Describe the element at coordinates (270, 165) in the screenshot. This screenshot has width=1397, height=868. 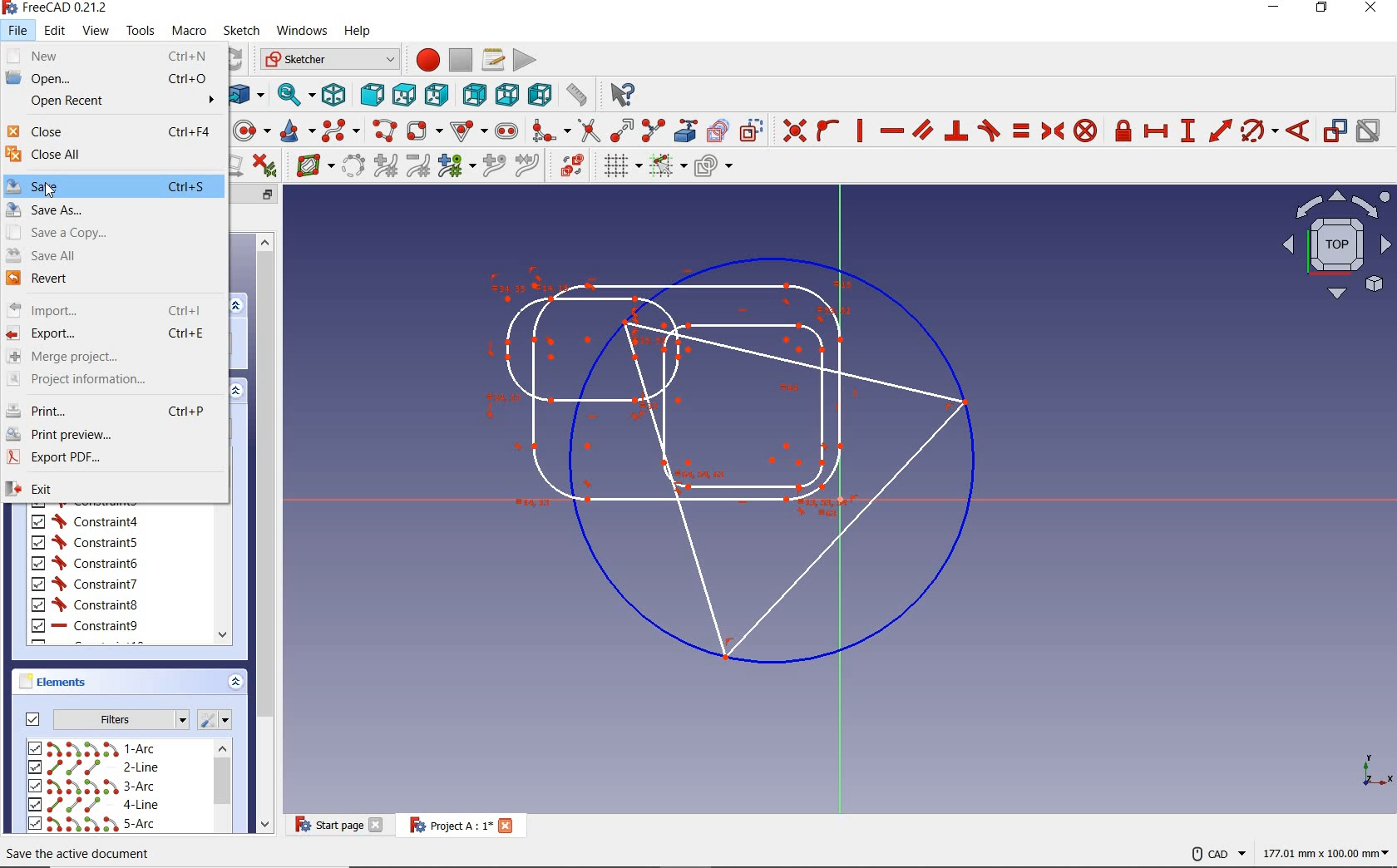
I see `delete all constraints` at that location.